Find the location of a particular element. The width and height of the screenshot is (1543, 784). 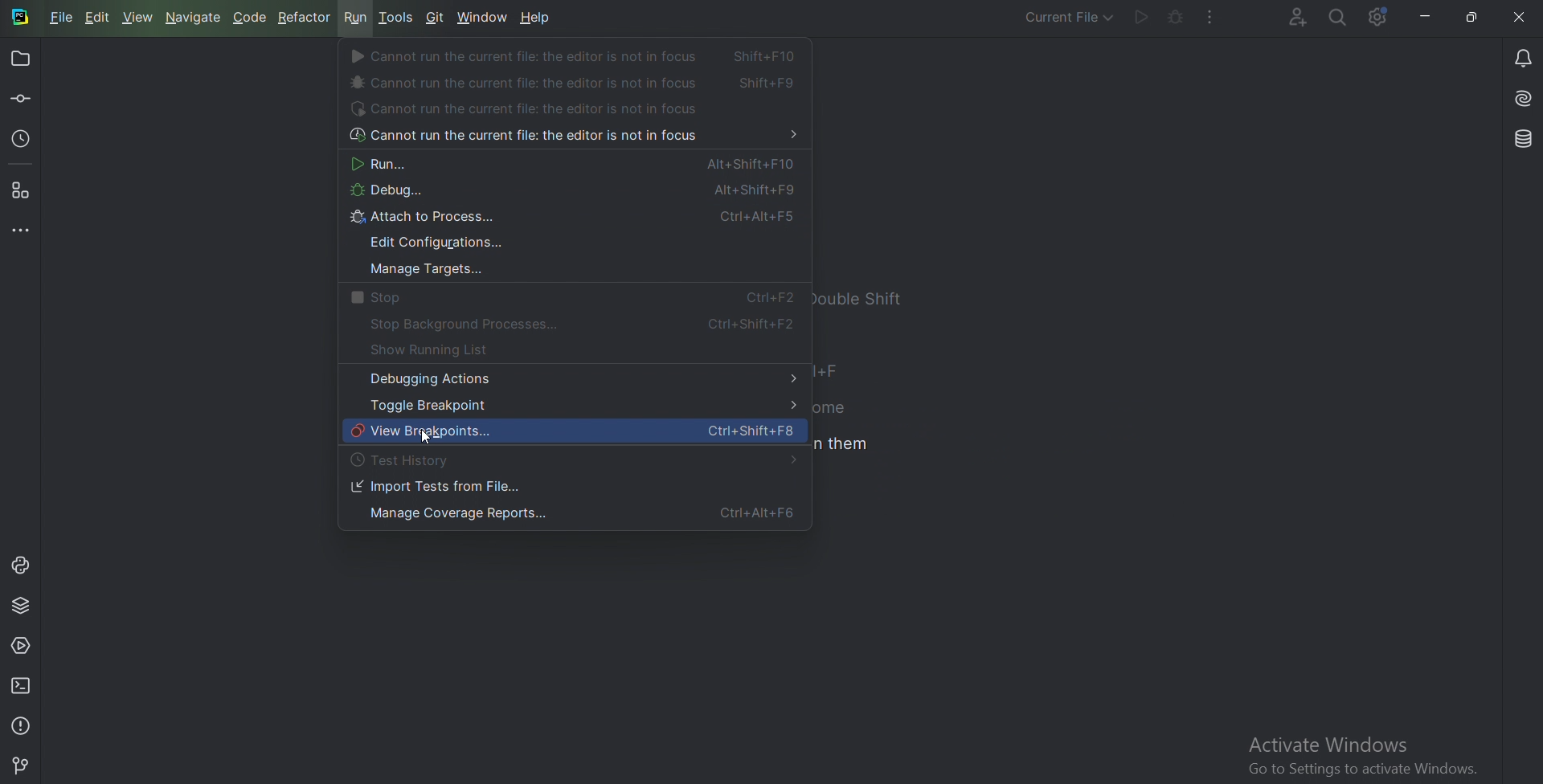

Stop background process is located at coordinates (579, 325).